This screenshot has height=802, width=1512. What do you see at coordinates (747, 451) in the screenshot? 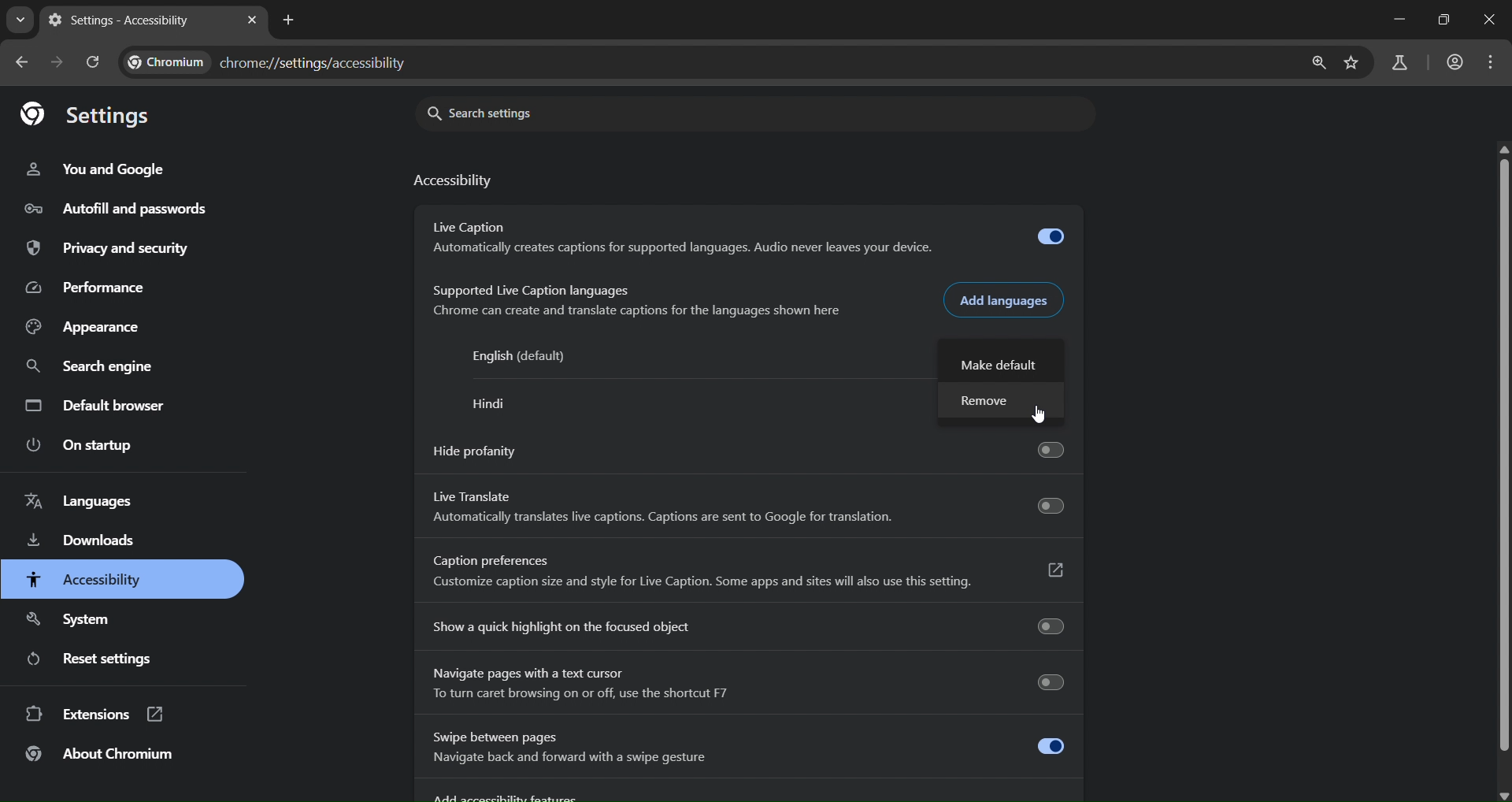
I see `hide profanity` at bounding box center [747, 451].